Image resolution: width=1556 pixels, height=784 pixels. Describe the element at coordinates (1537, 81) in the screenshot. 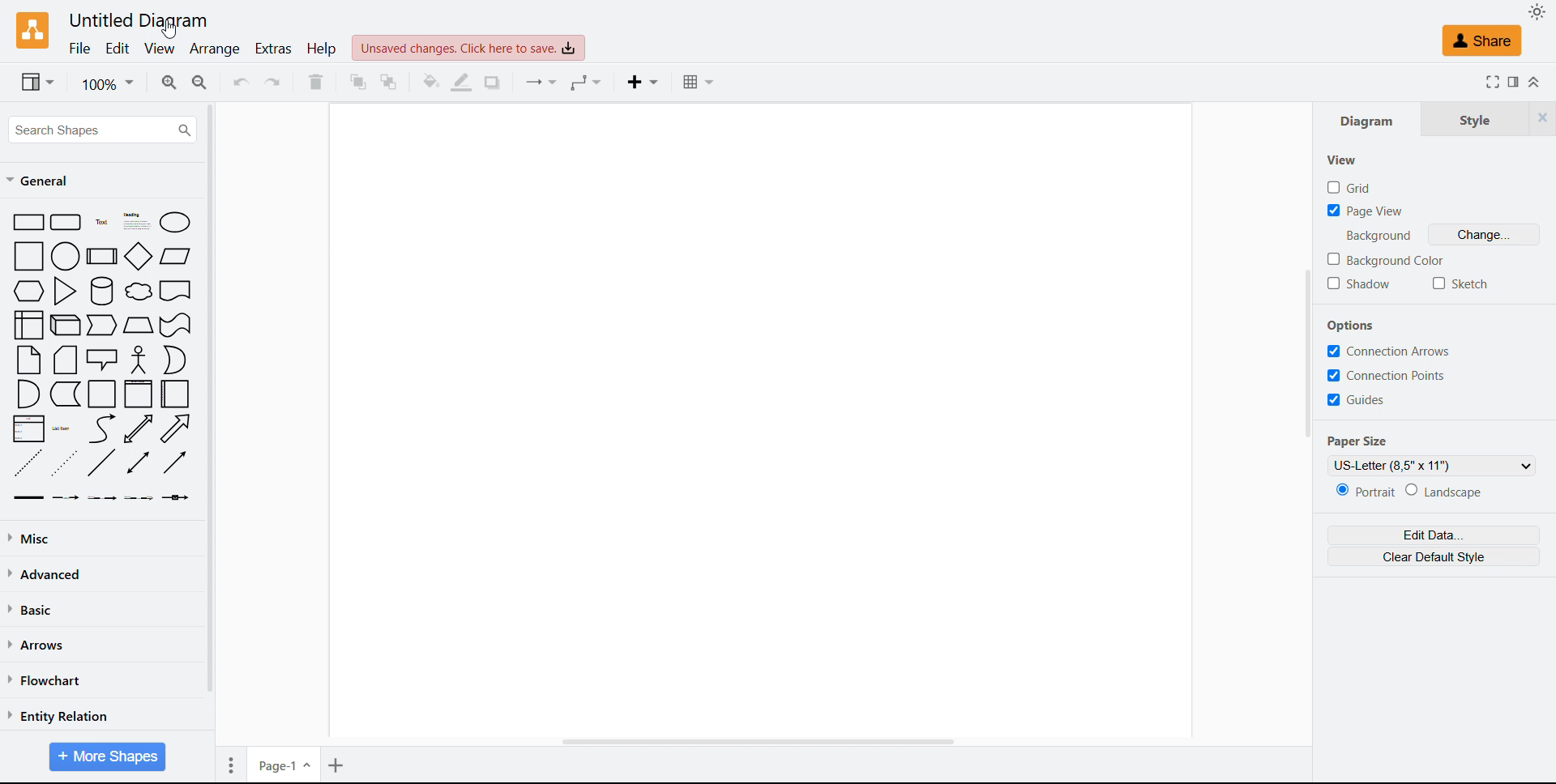

I see `Collapse ` at that location.